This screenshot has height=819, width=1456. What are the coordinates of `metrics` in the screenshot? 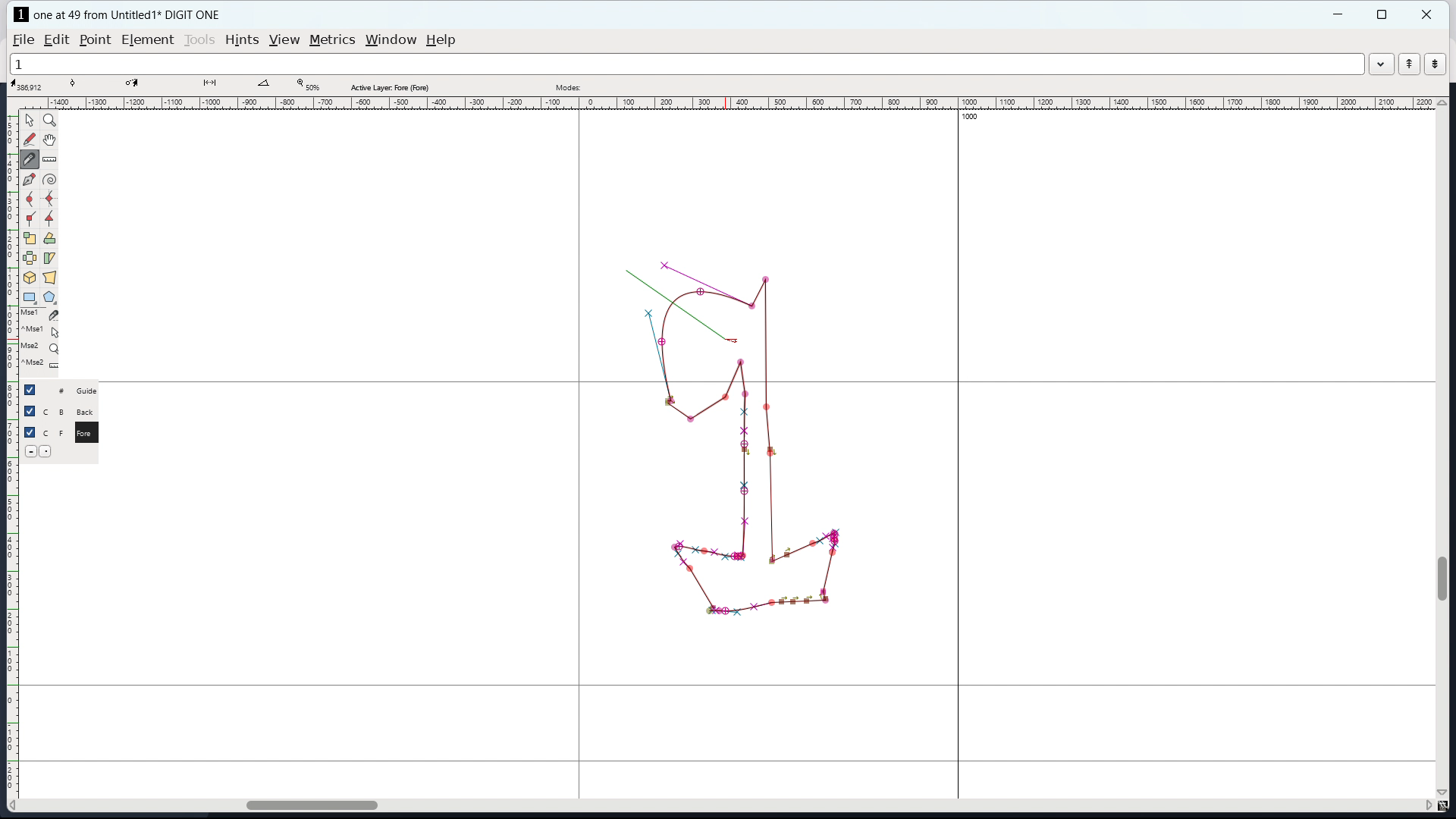 It's located at (332, 40).